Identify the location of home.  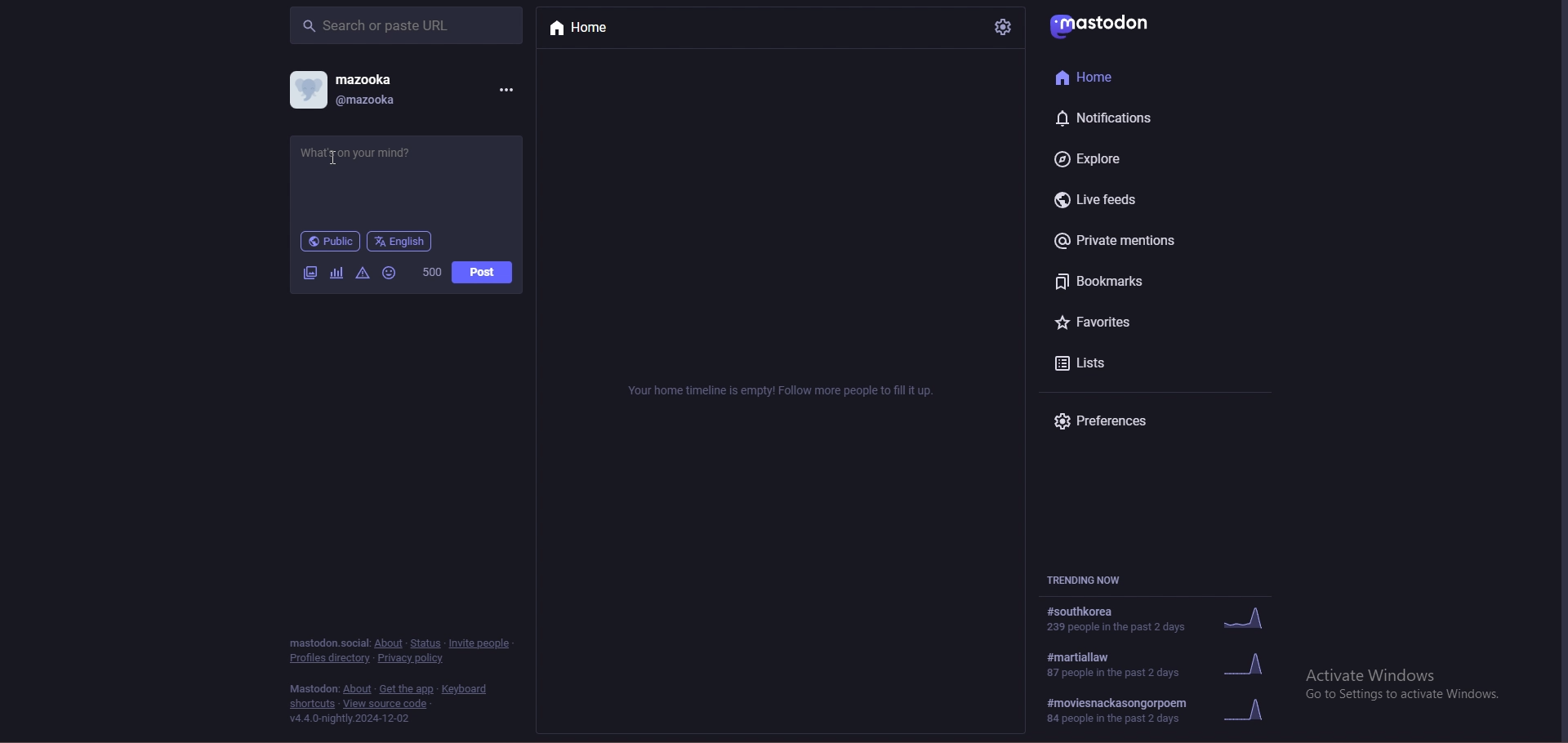
(1114, 78).